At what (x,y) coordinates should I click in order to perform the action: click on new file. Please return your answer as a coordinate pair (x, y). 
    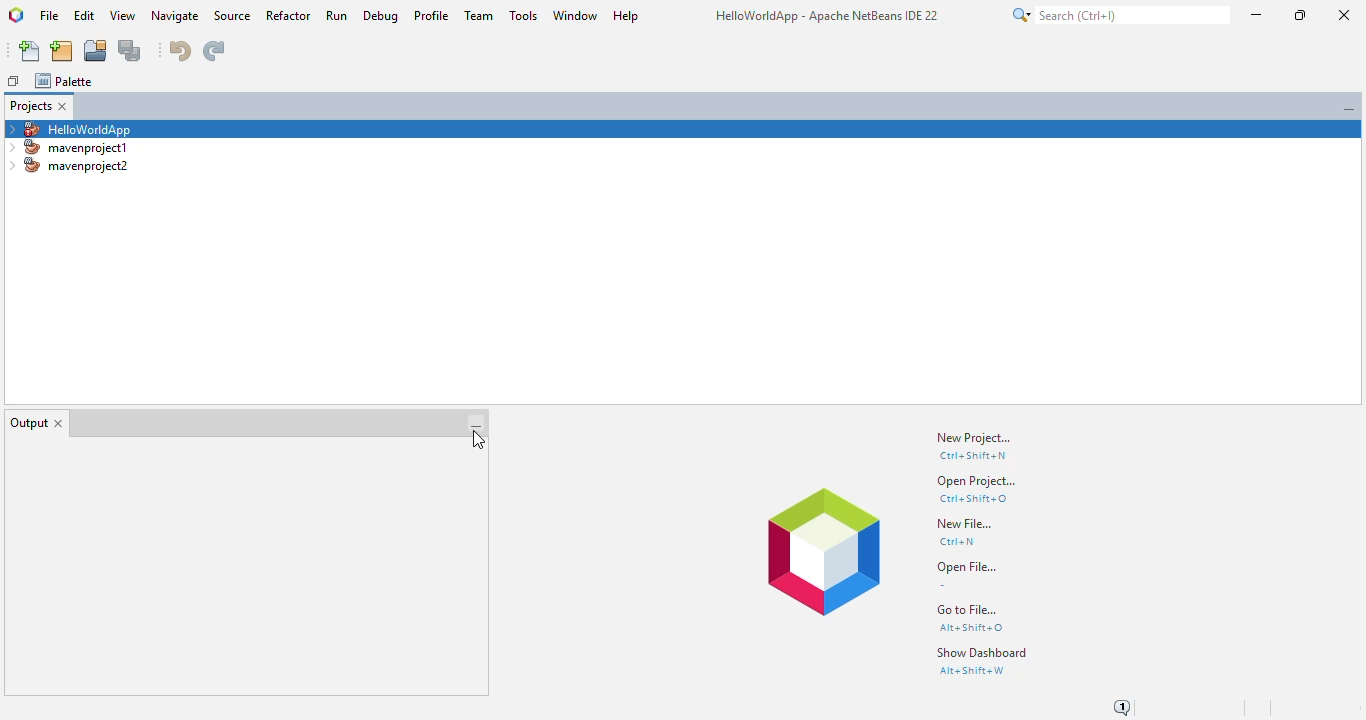
    Looking at the image, I should click on (31, 51).